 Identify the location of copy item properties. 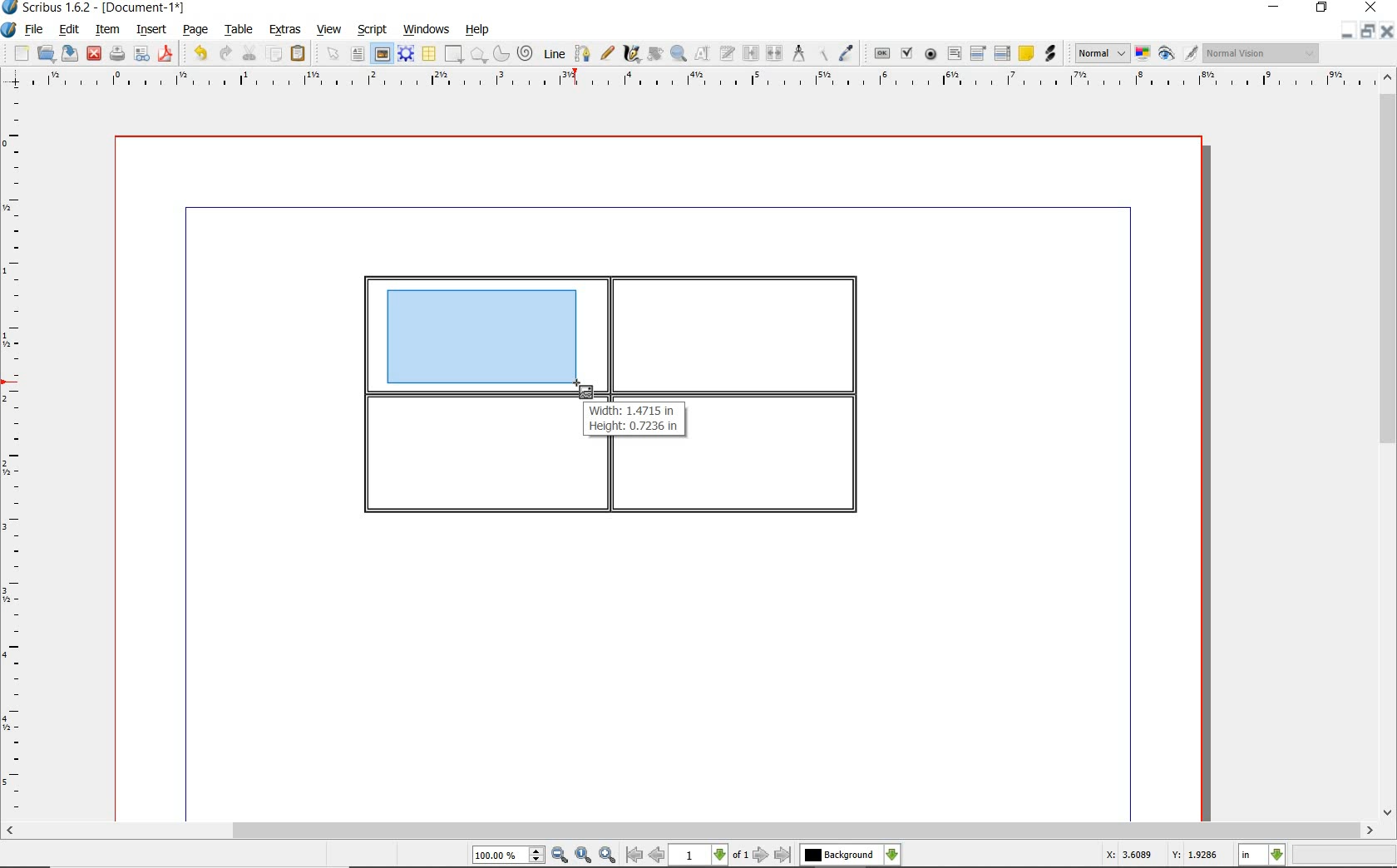
(822, 54).